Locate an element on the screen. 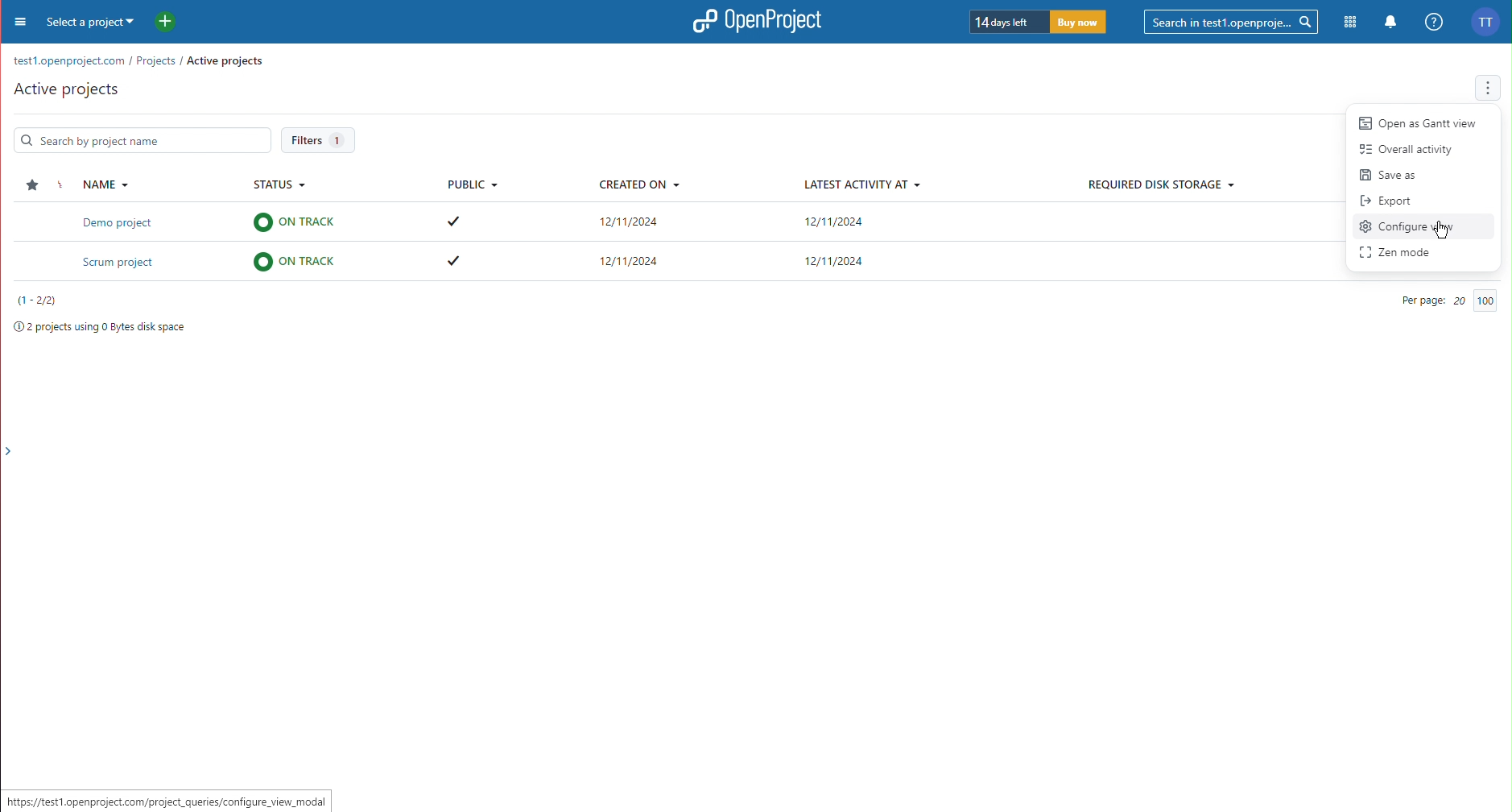  Select a project is located at coordinates (111, 22).